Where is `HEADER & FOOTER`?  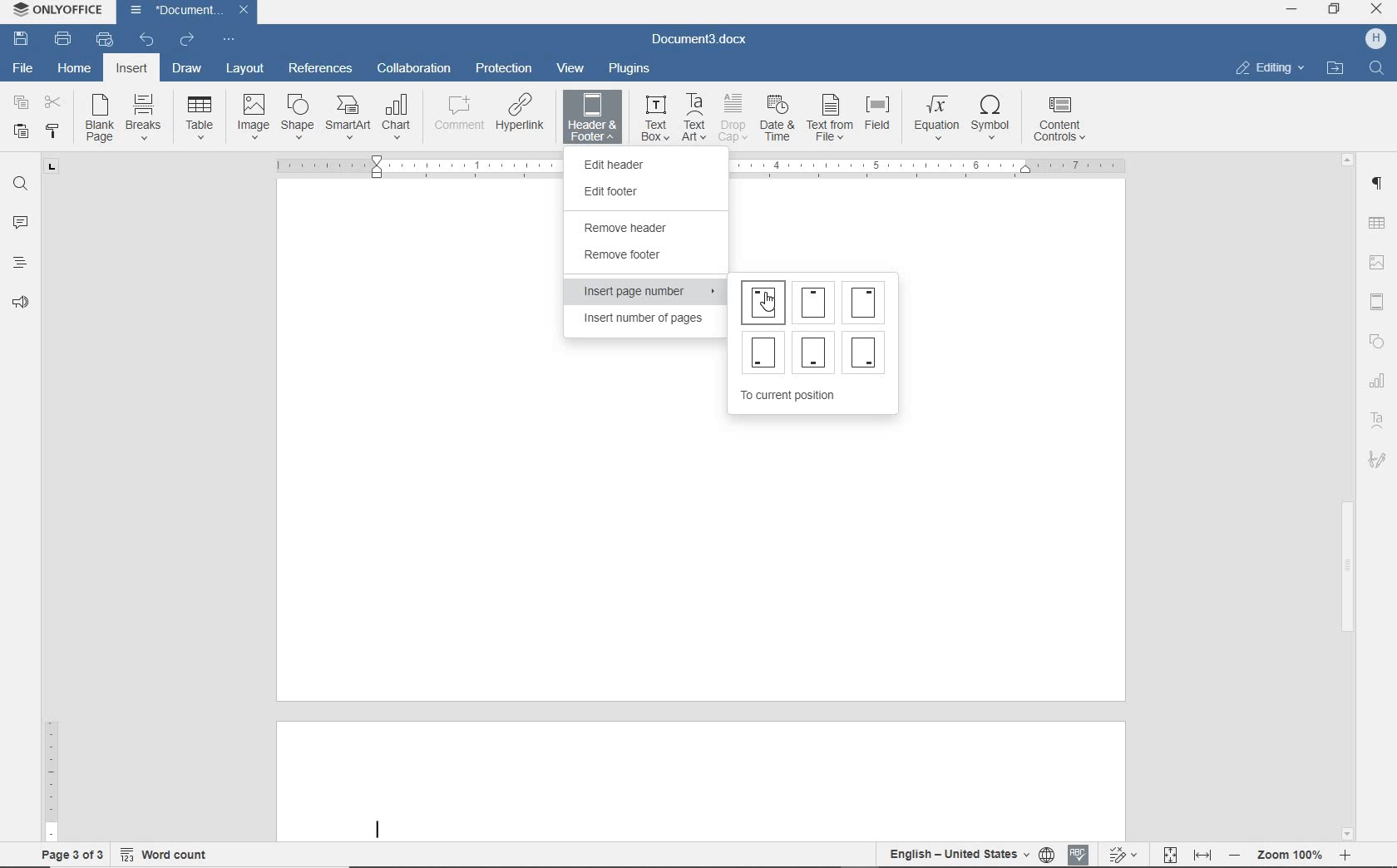
HEADER & FOOTER is located at coordinates (1380, 303).